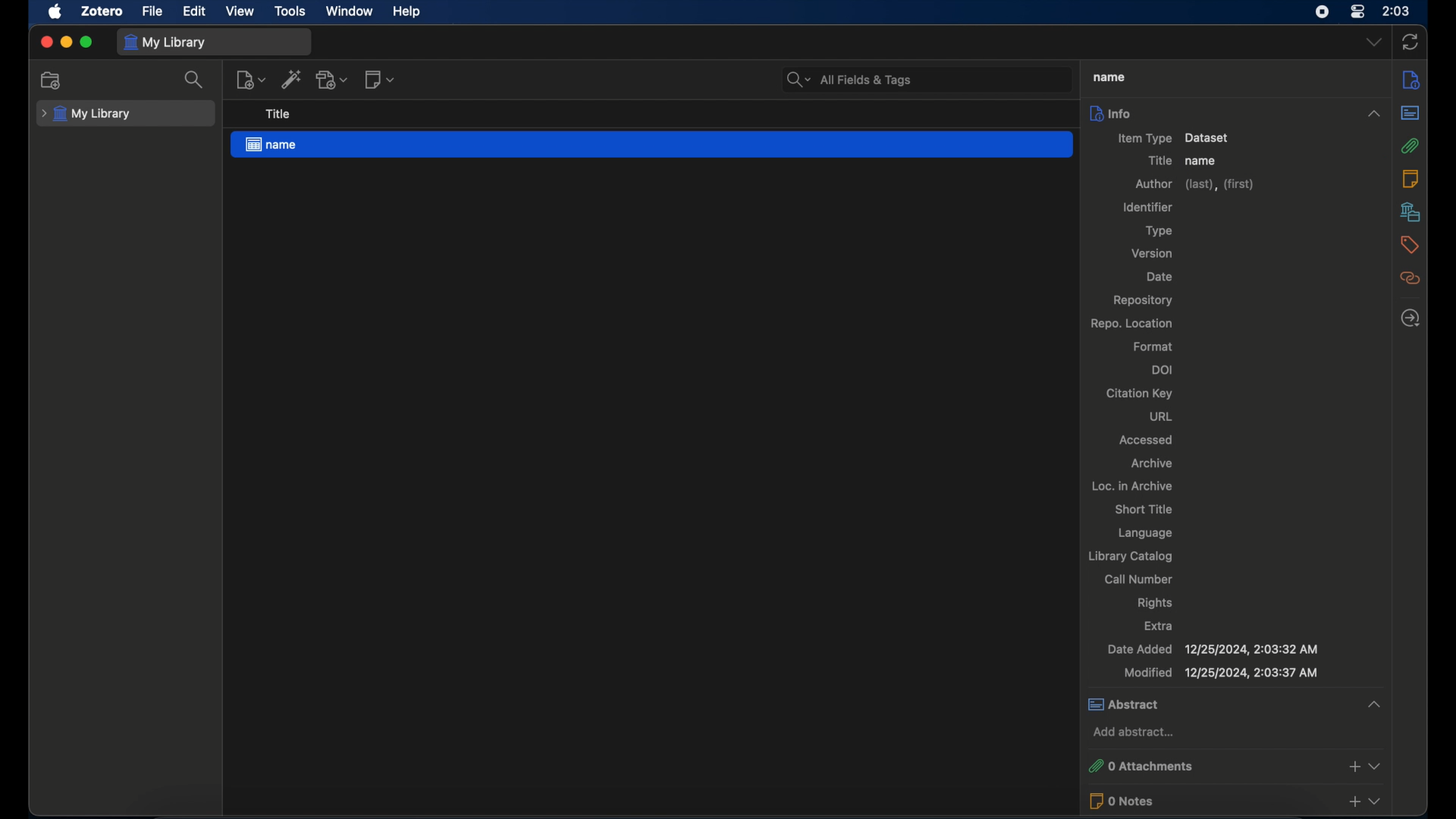 This screenshot has height=819, width=1456. What do you see at coordinates (1171, 138) in the screenshot?
I see `item type` at bounding box center [1171, 138].